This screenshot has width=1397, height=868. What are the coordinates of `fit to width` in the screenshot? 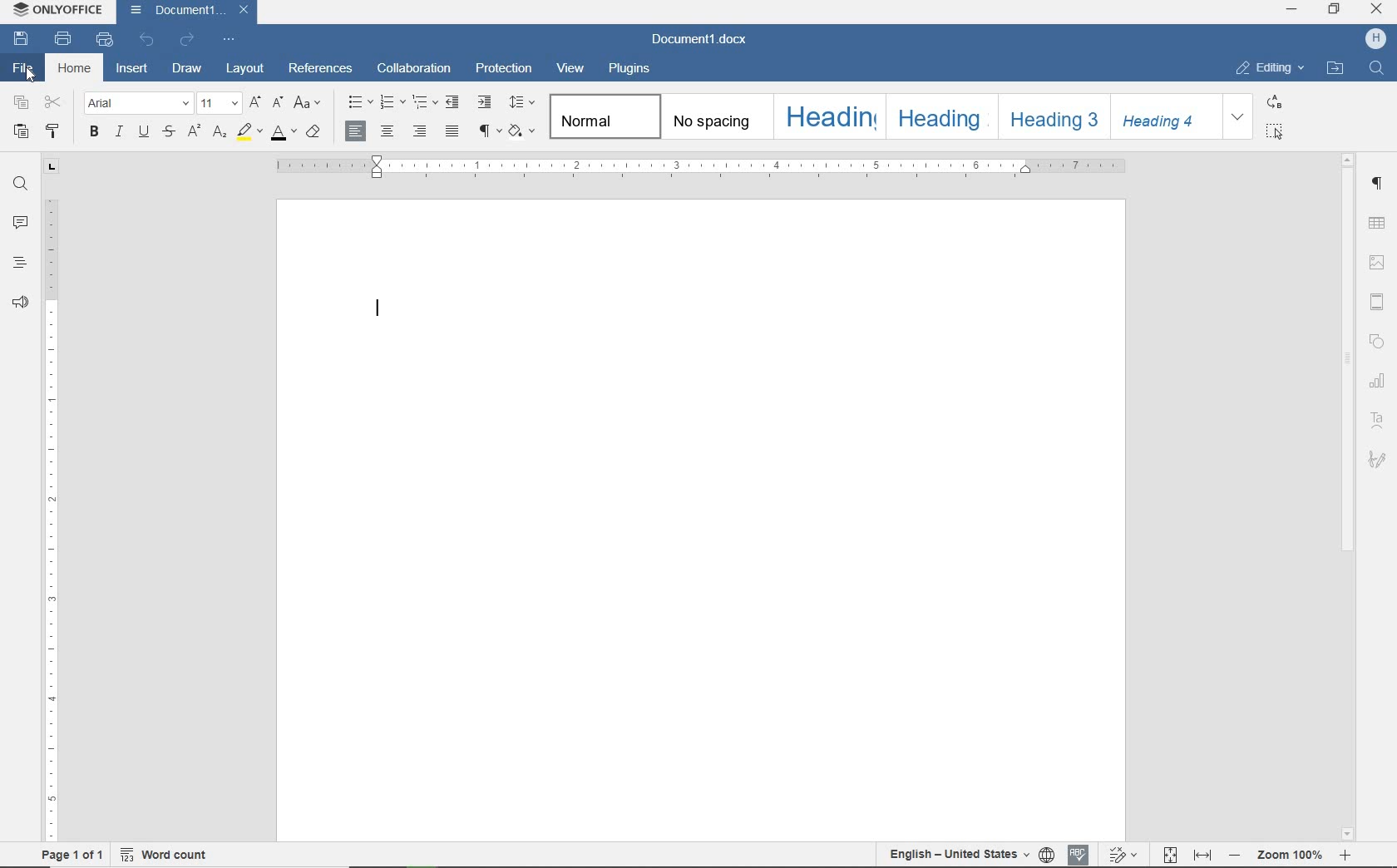 It's located at (1202, 856).